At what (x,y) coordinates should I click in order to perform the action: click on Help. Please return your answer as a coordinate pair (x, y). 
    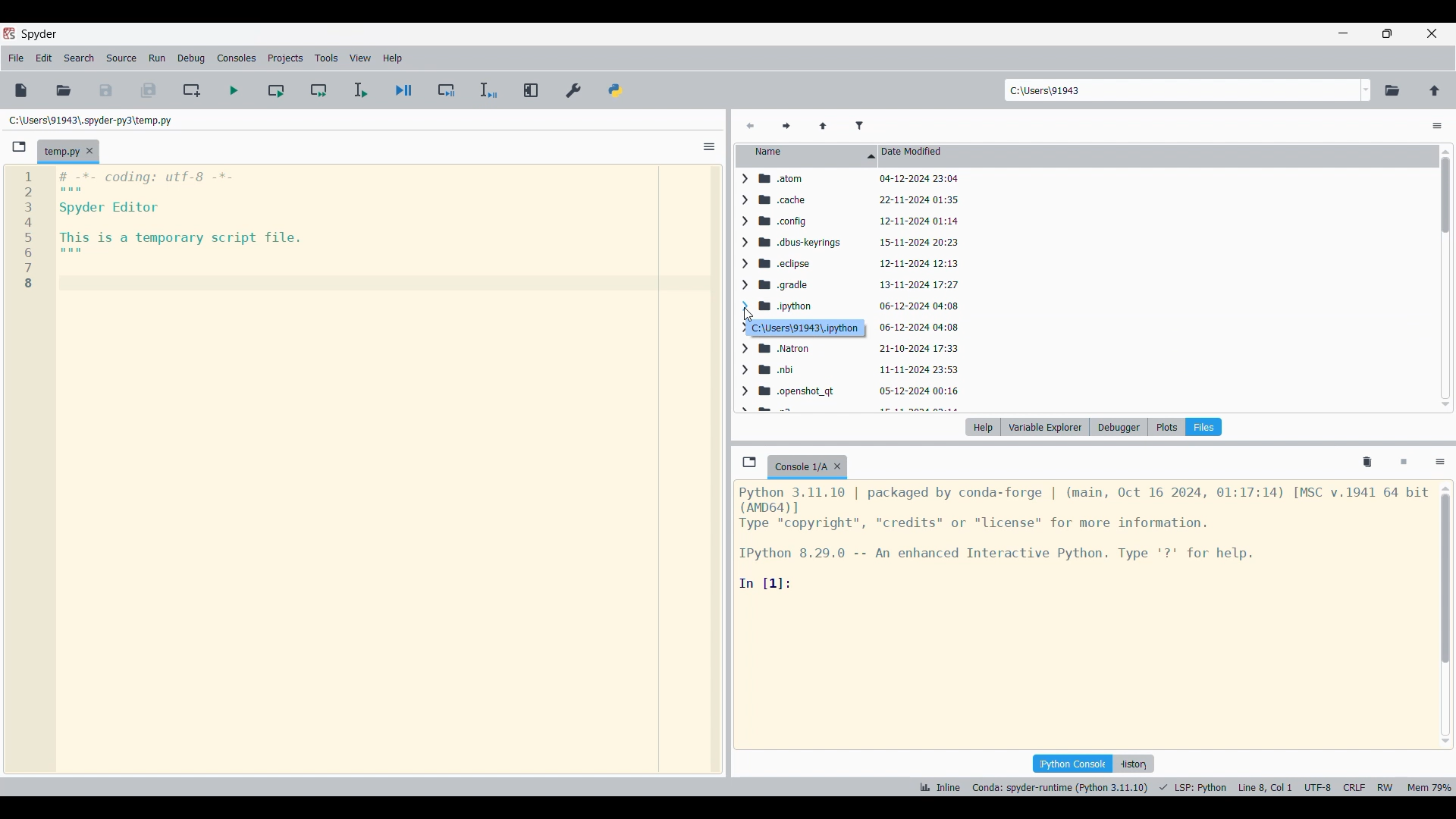
    Looking at the image, I should click on (983, 427).